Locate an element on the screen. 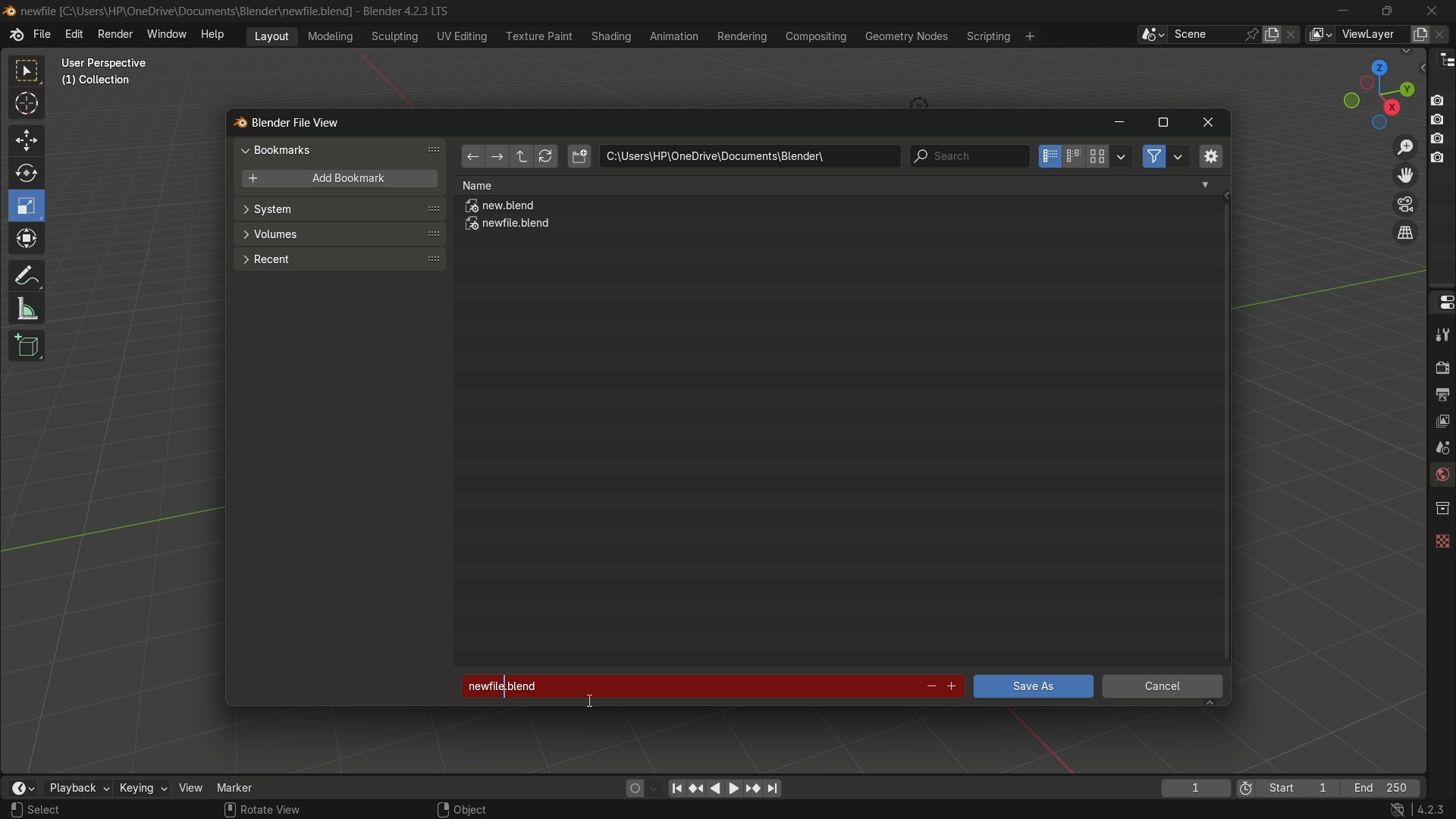 Image resolution: width=1456 pixels, height=819 pixels. Blend is located at coordinates (9, 10).